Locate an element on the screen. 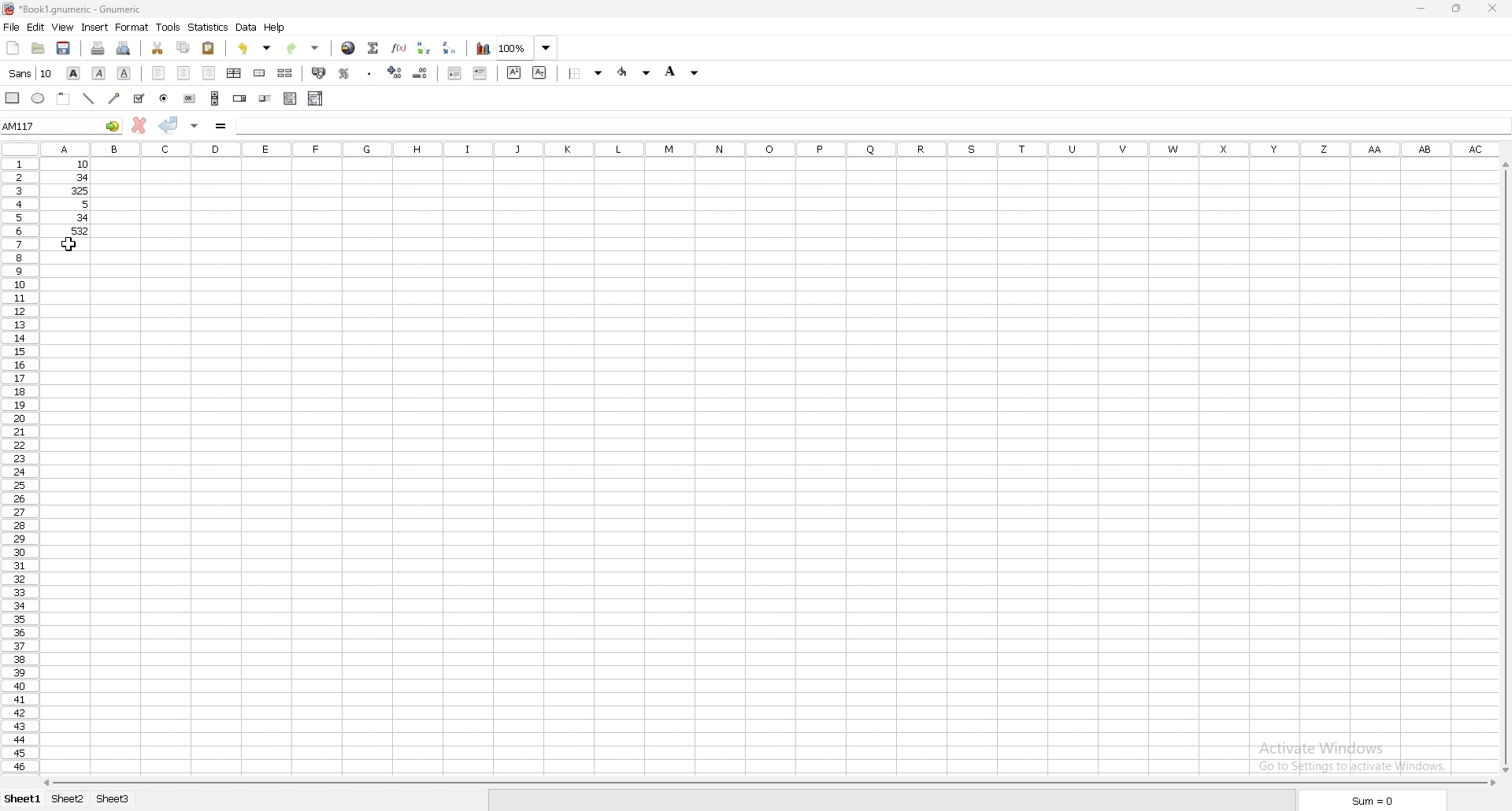  thousands separator is located at coordinates (369, 74).